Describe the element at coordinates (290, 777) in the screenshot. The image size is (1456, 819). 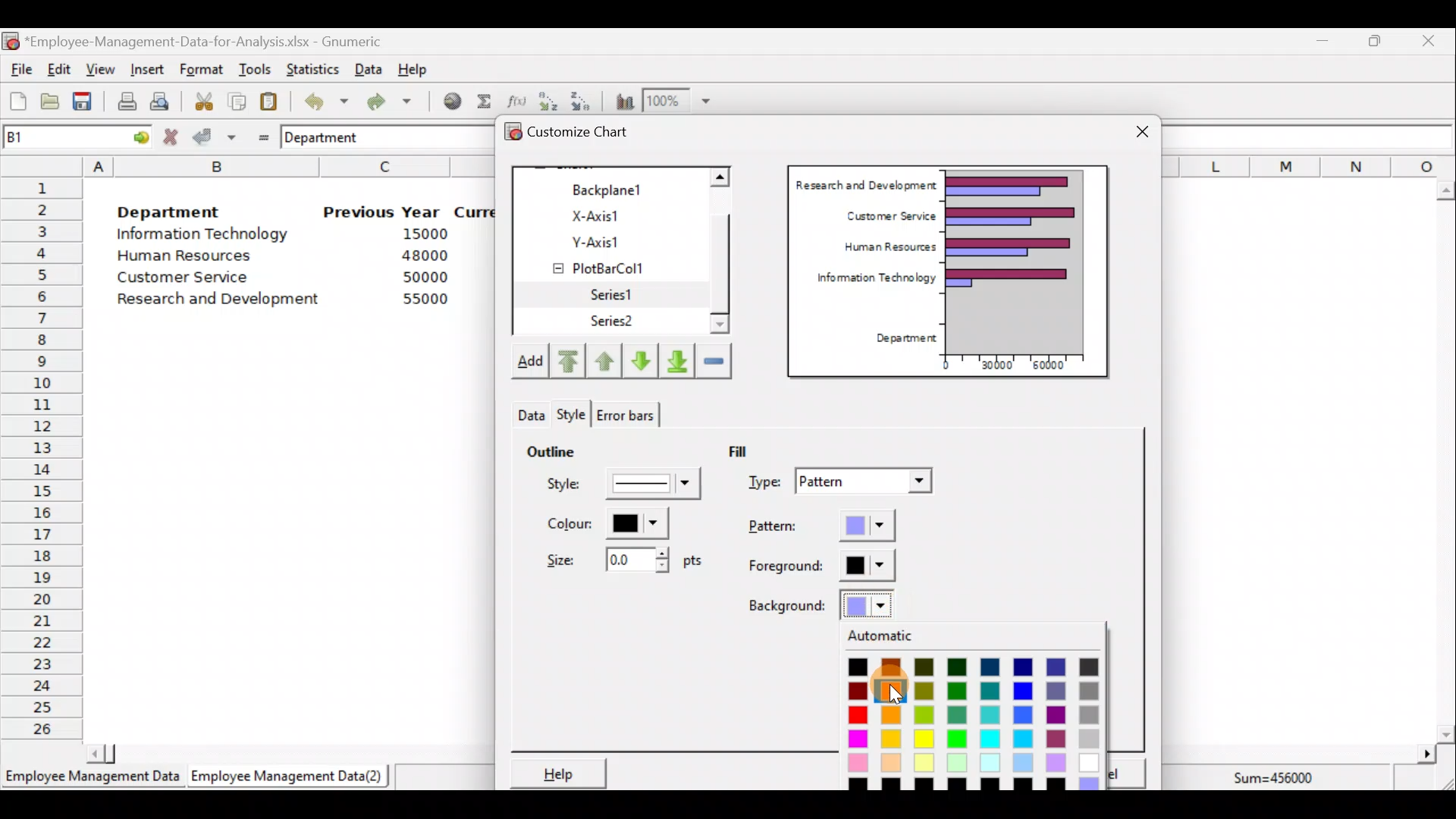
I see `Employee Management Data (2)` at that location.